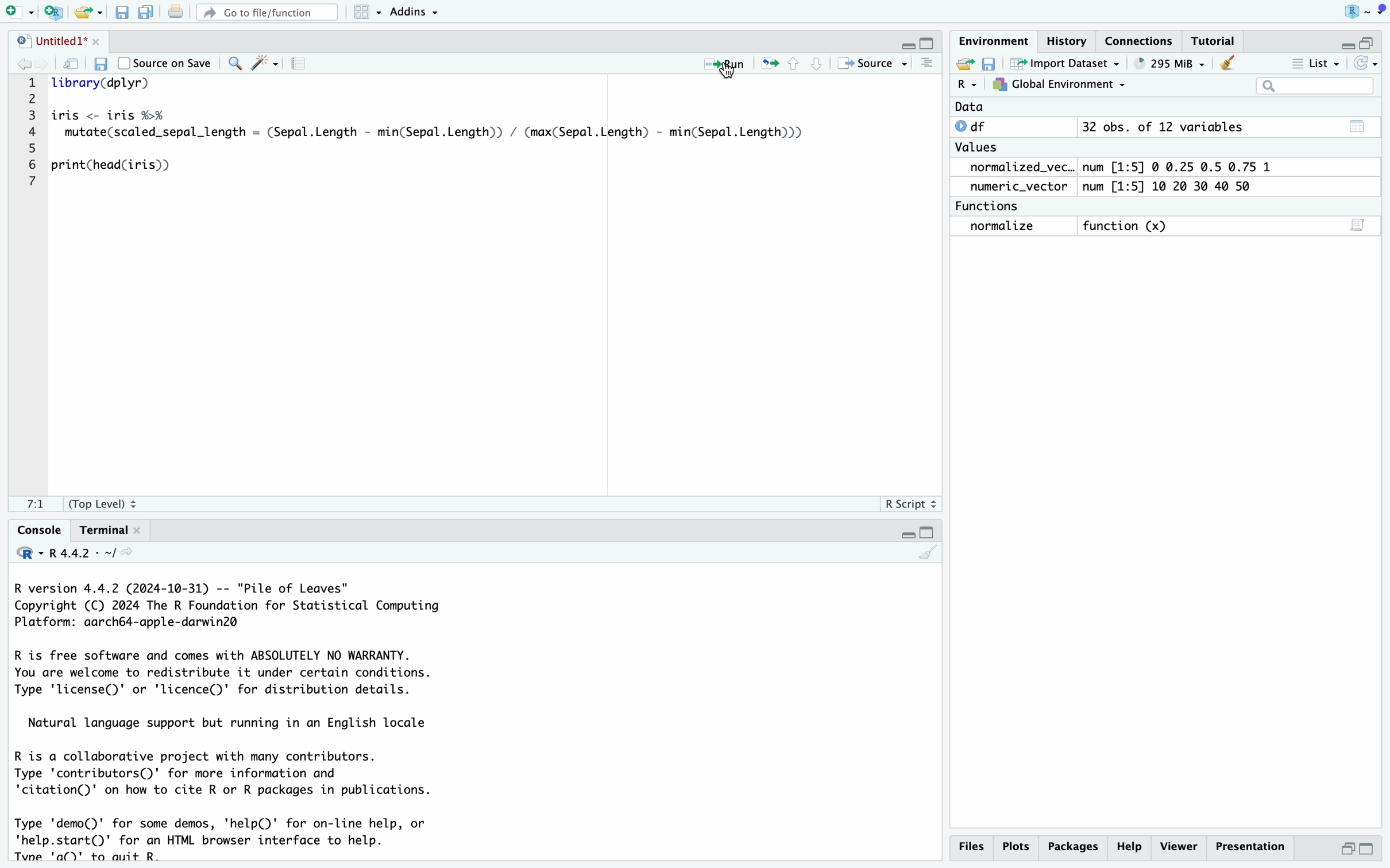 This screenshot has height=868, width=1390. Describe the element at coordinates (263, 62) in the screenshot. I see `Wand` at that location.